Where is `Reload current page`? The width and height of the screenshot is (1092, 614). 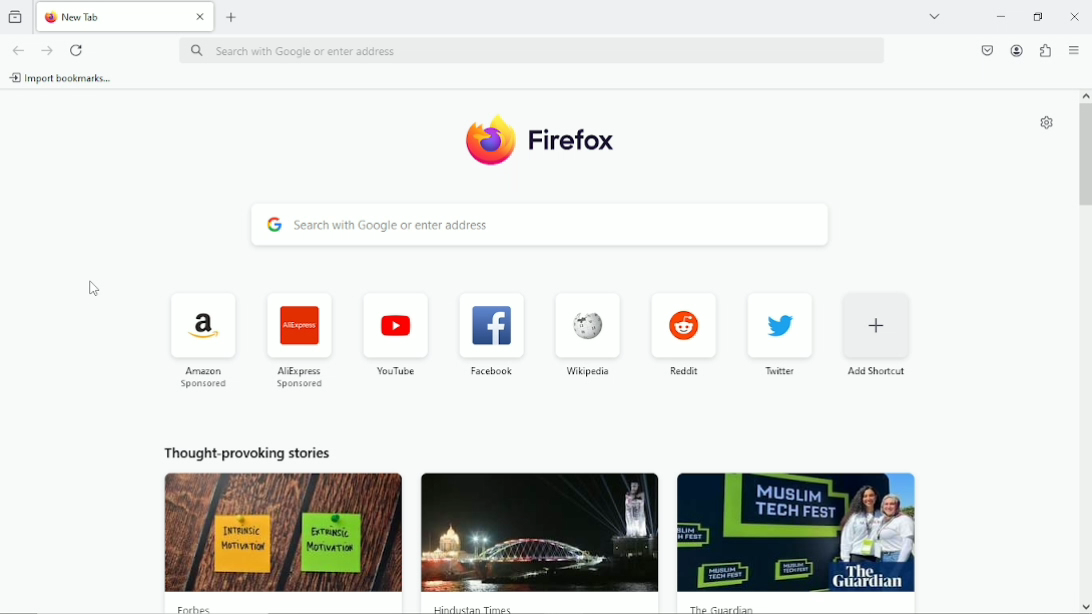 Reload current page is located at coordinates (79, 49).